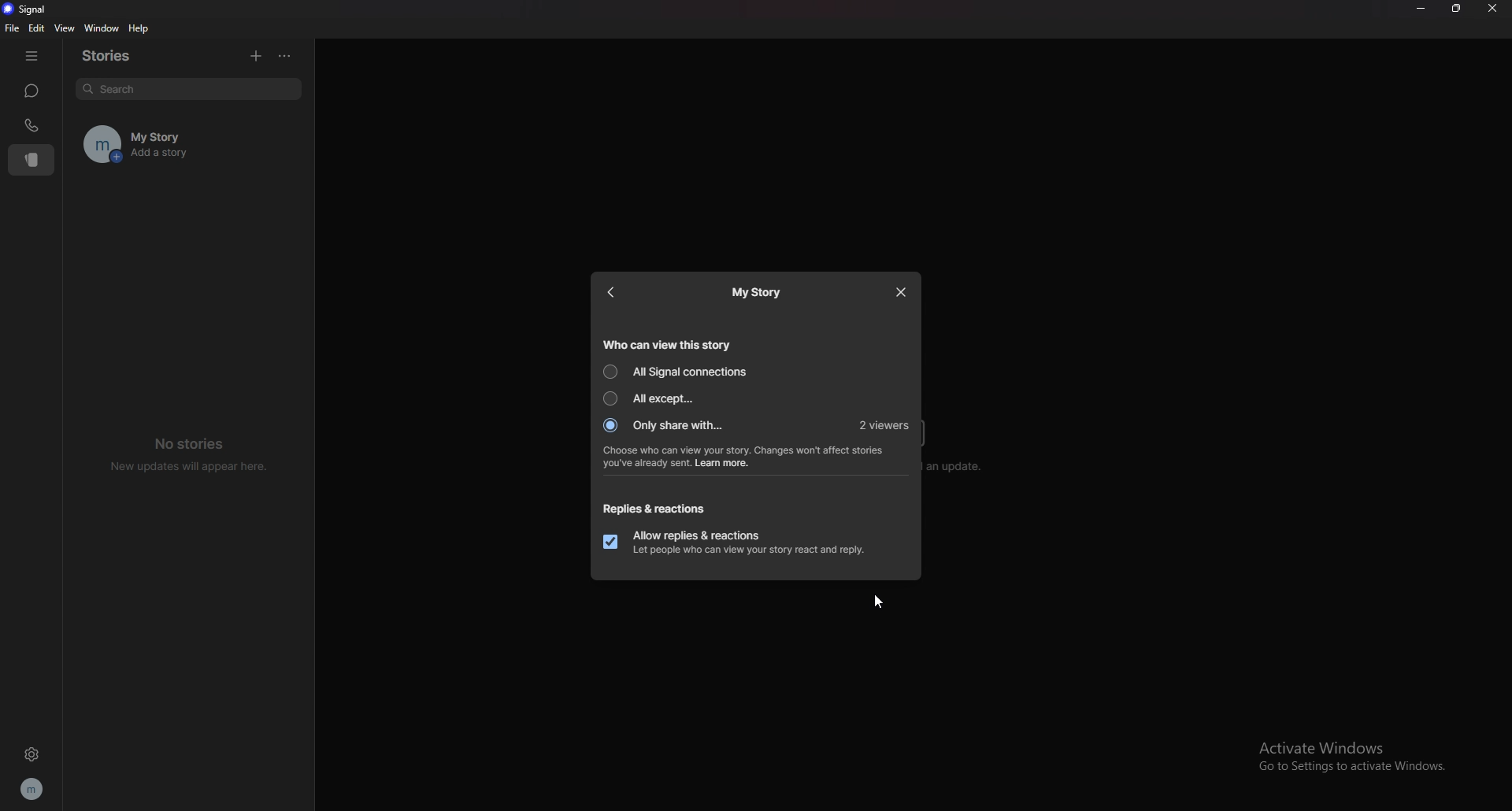  I want to click on close, so click(1492, 9).